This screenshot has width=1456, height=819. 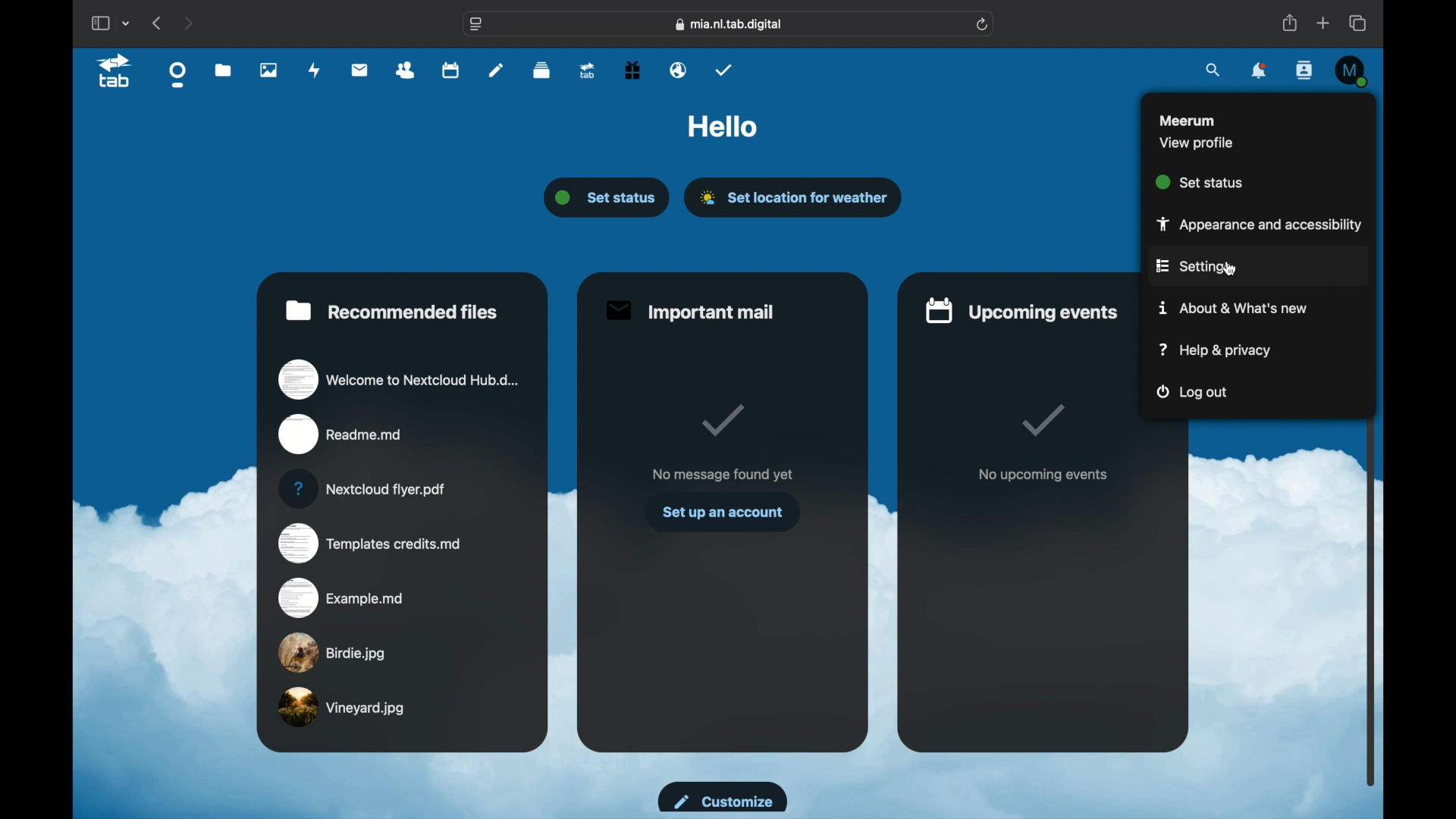 What do you see at coordinates (1230, 268) in the screenshot?
I see `cursor` at bounding box center [1230, 268].